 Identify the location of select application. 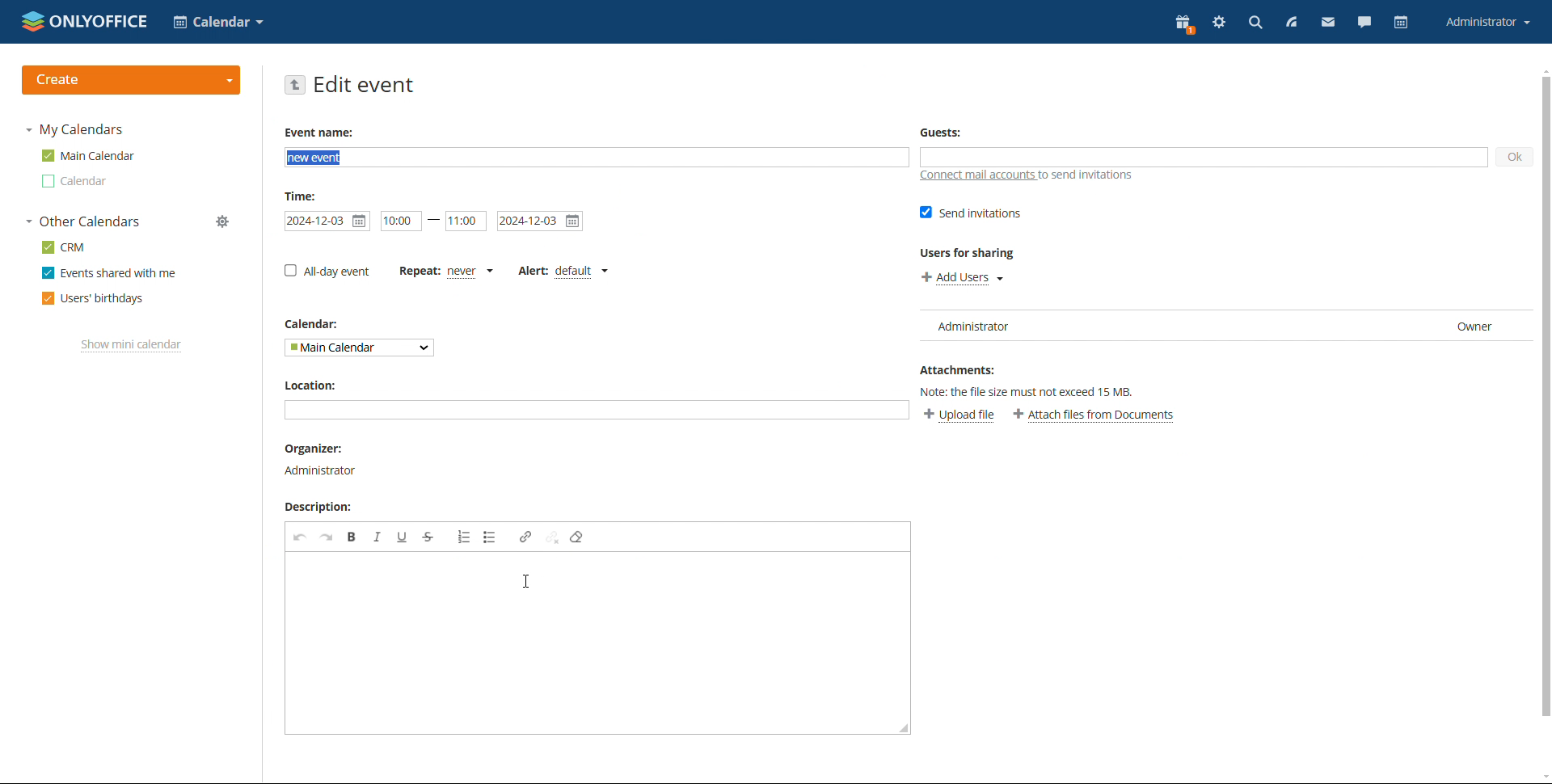
(217, 22).